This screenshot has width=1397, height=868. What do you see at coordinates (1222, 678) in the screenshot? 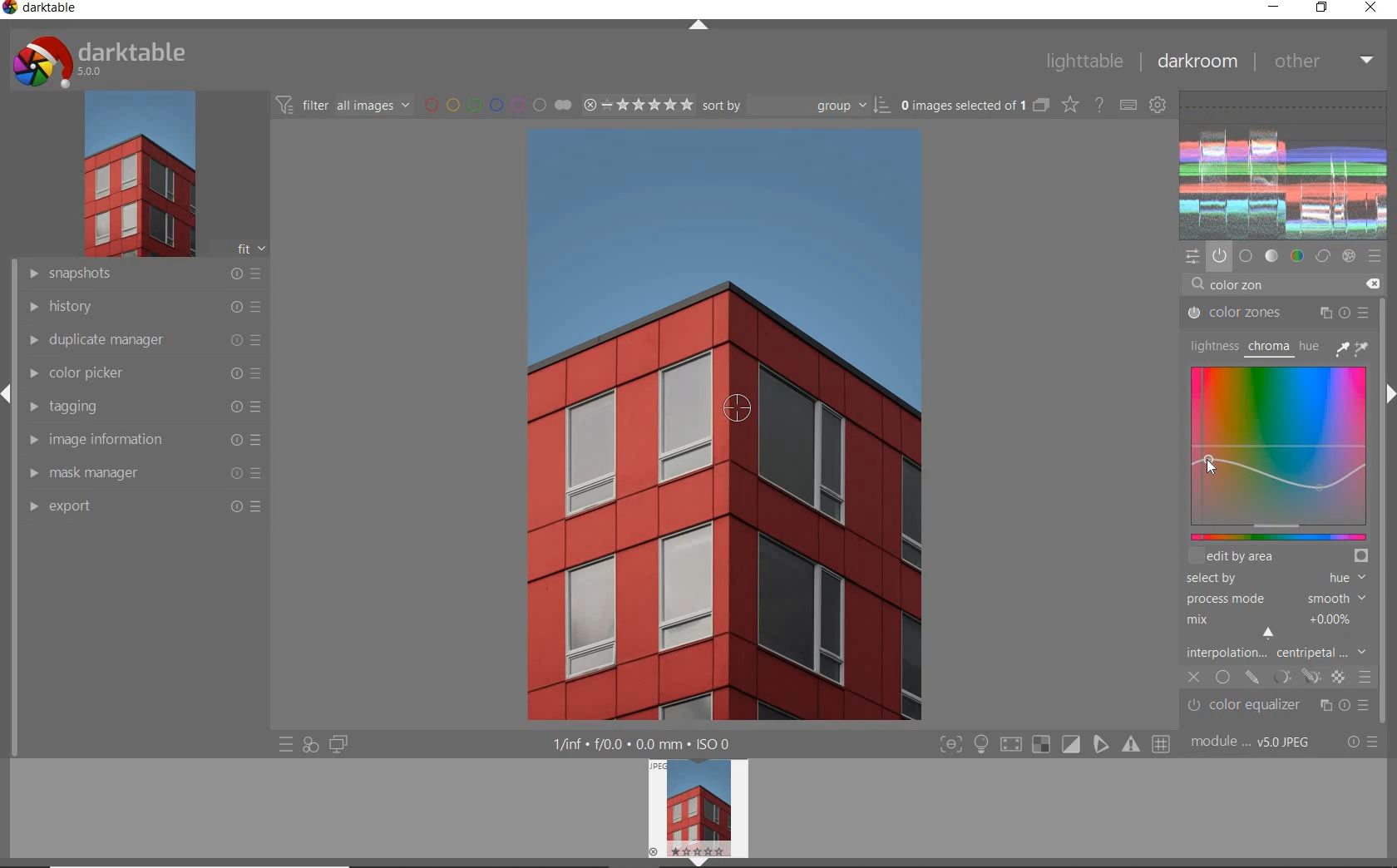
I see `UNIFORMLY` at bounding box center [1222, 678].